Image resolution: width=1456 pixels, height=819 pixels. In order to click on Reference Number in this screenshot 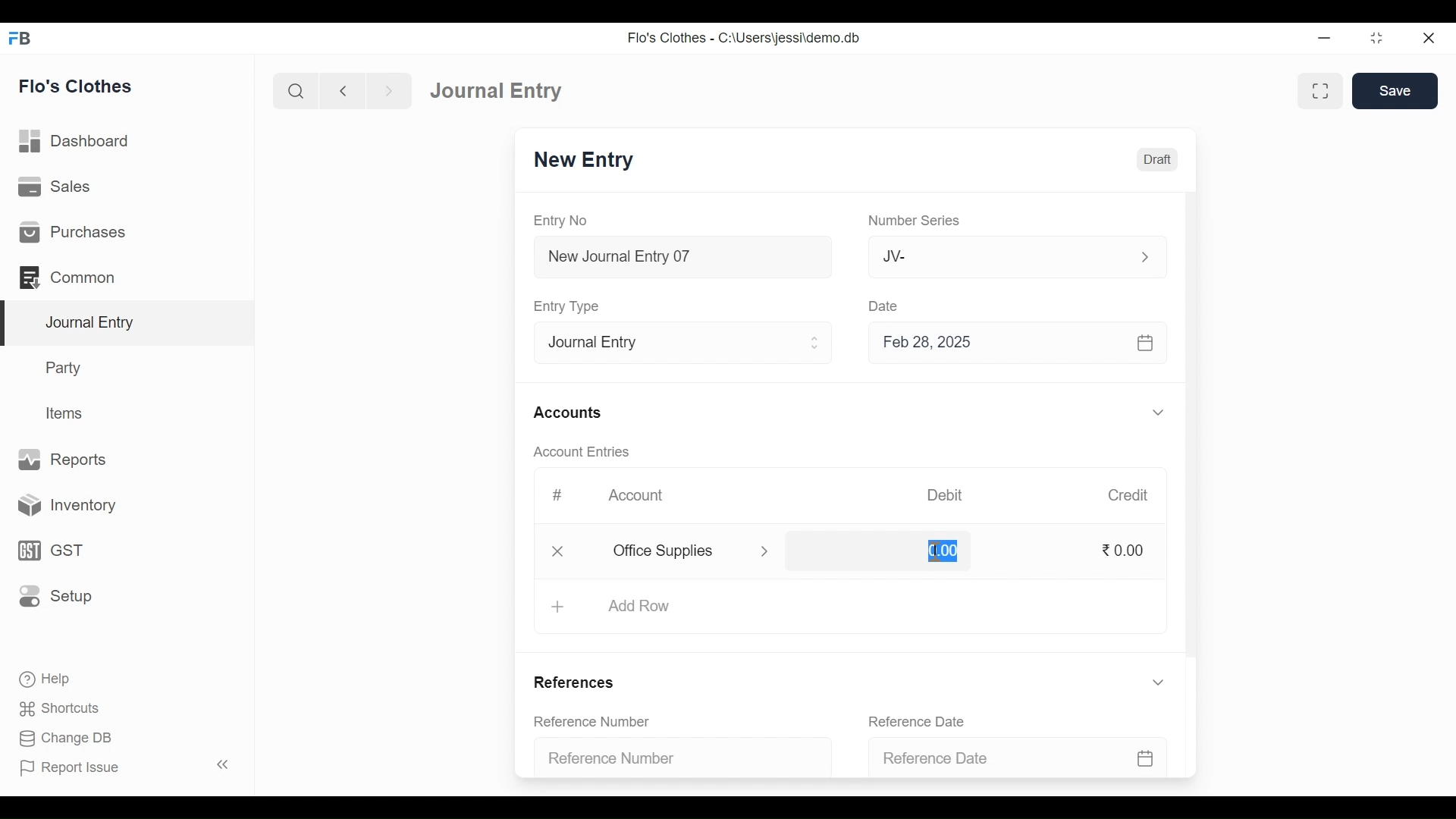, I will do `click(593, 720)`.